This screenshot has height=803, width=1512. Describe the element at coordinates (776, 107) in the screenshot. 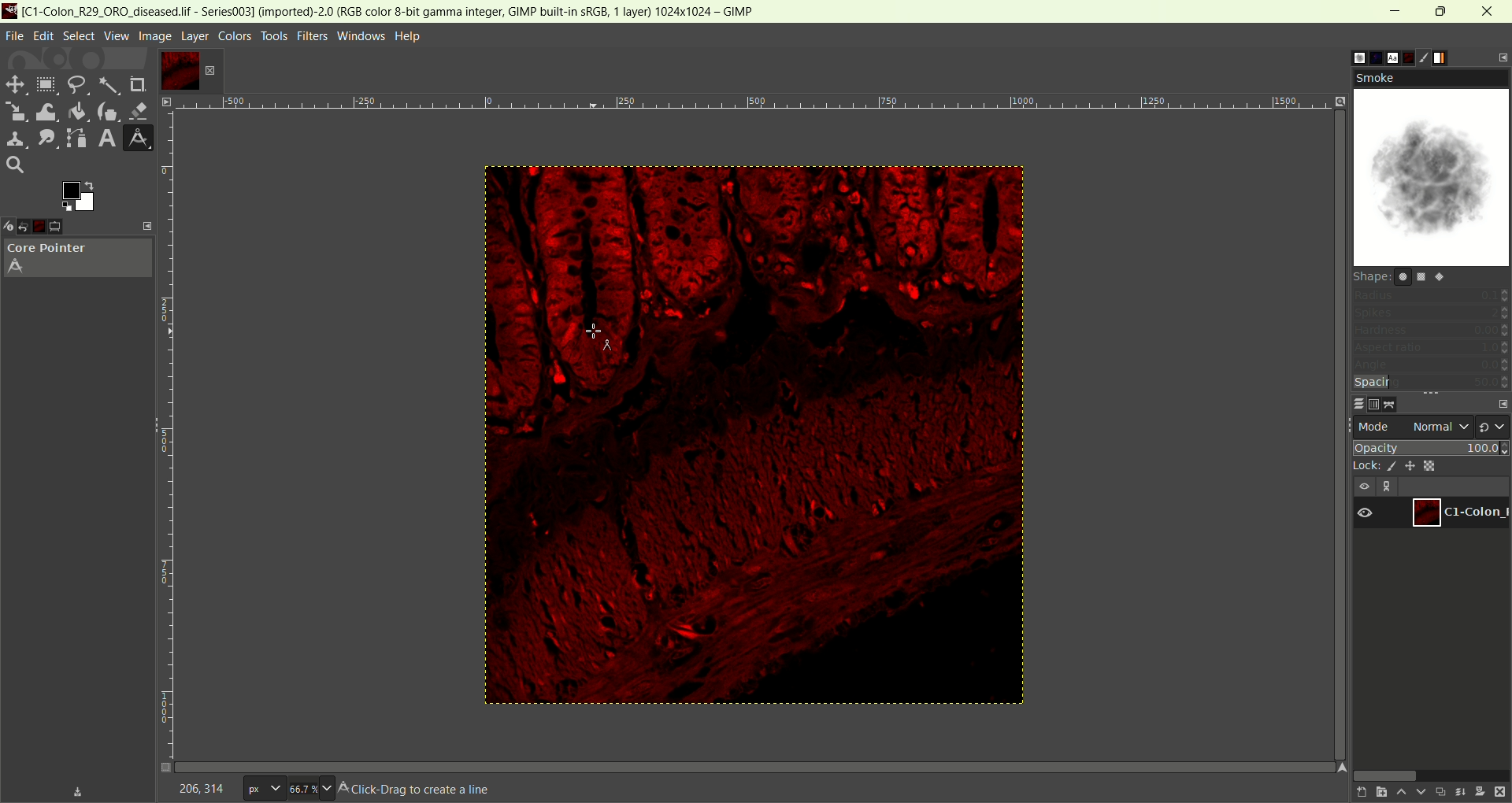

I see `zoom factor` at that location.